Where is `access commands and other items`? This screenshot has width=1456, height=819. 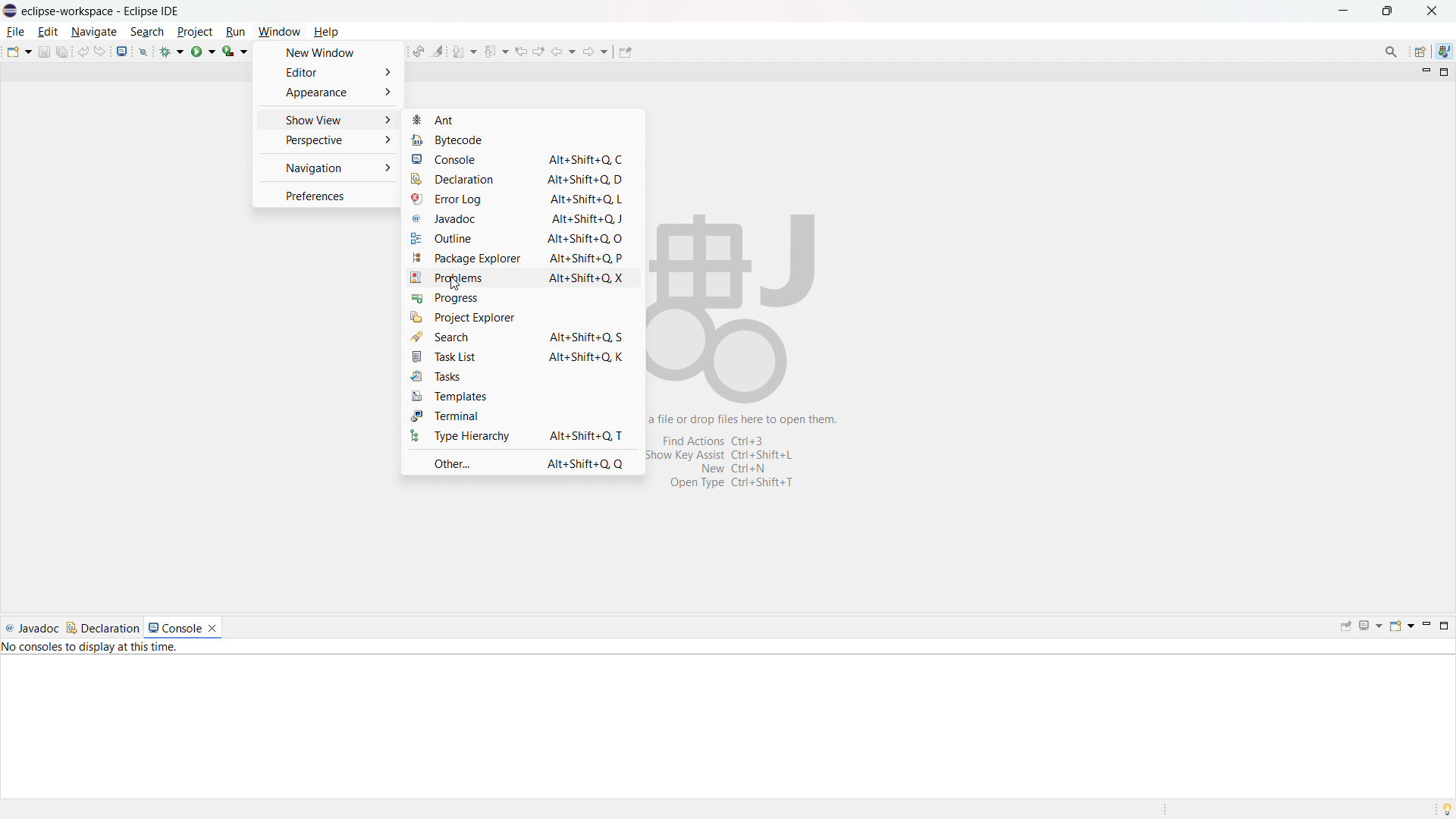 access commands and other items is located at coordinates (1390, 52).